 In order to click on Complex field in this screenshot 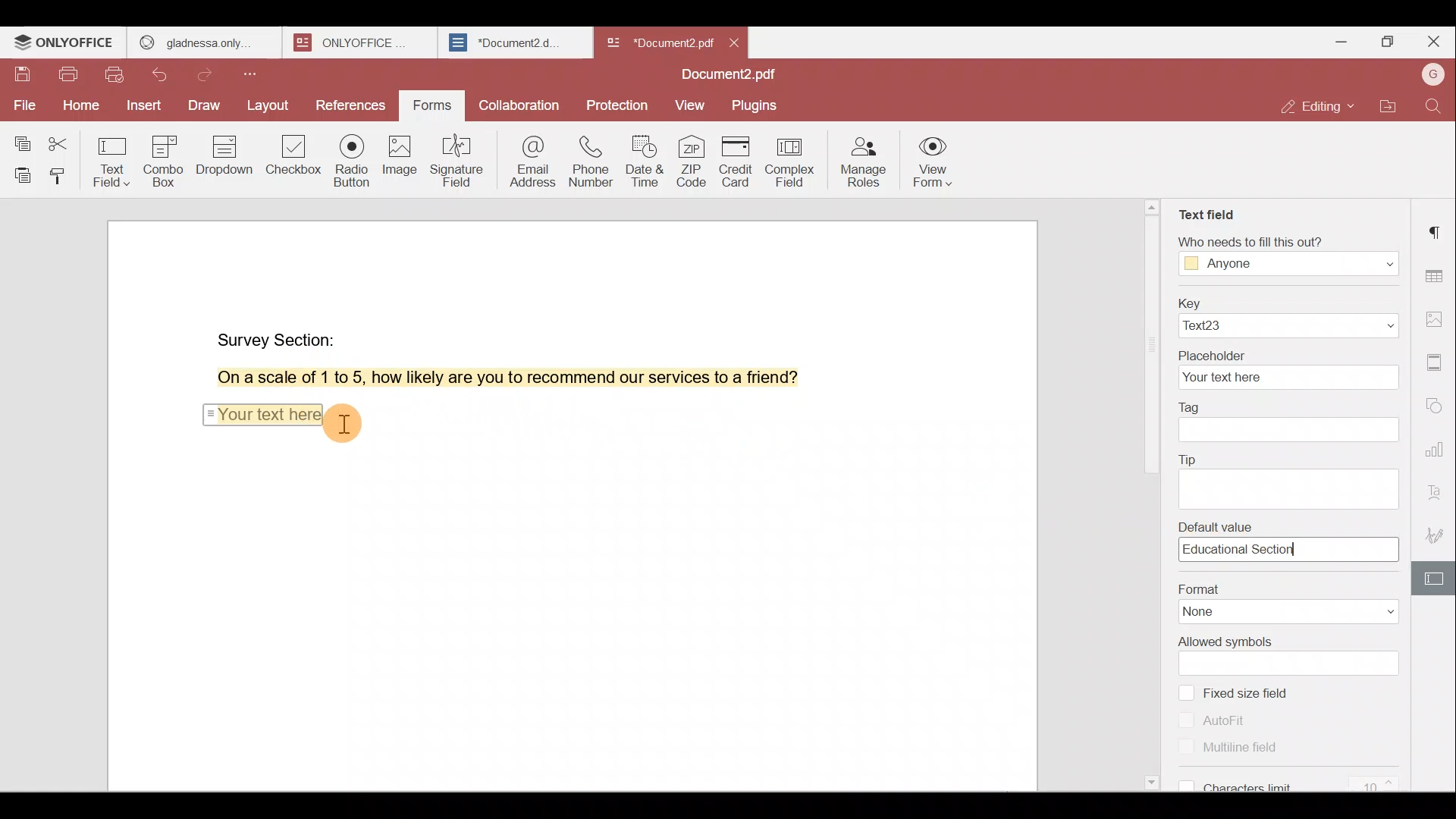, I will do `click(794, 163)`.